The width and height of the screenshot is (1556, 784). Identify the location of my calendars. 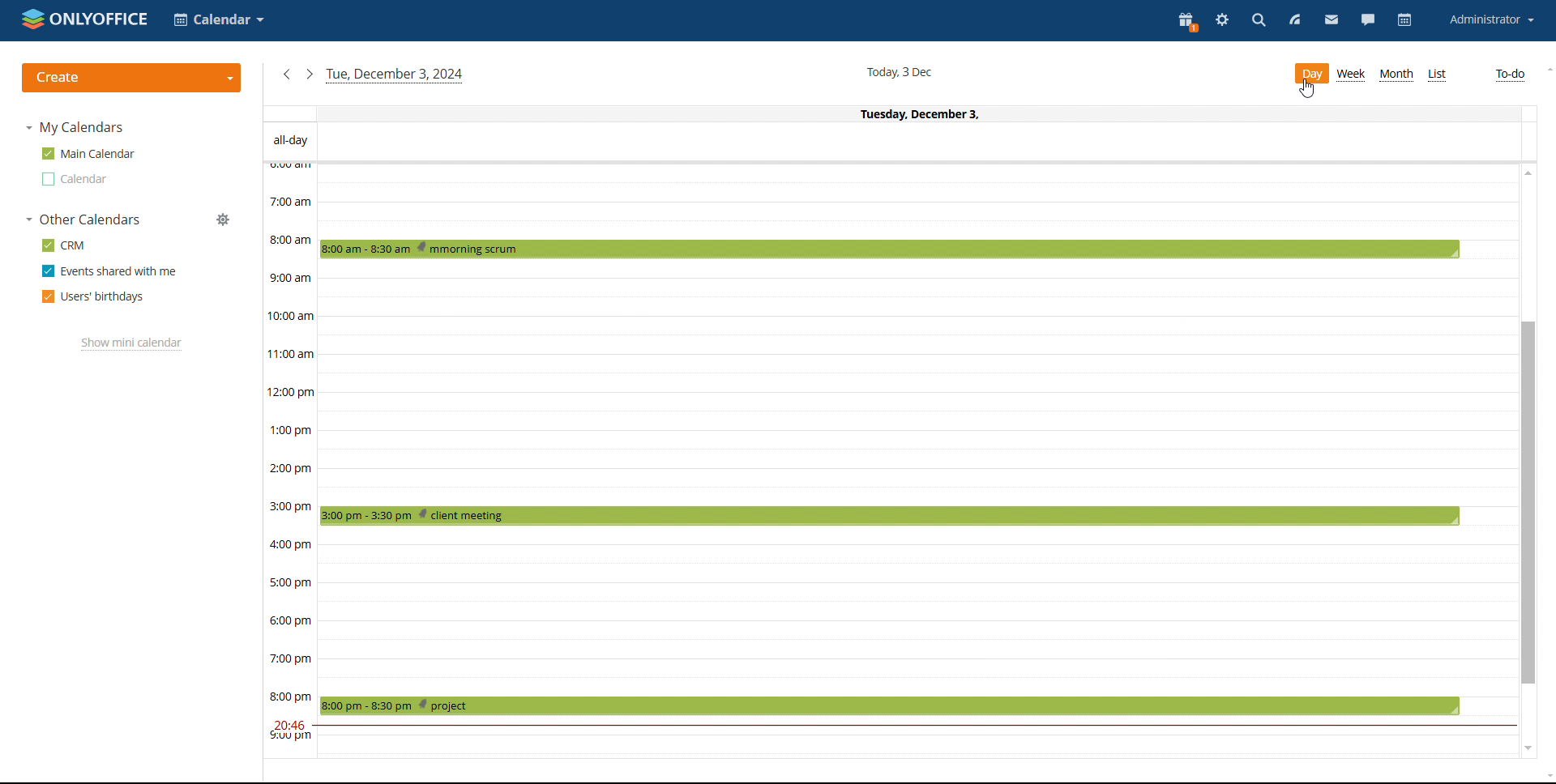
(75, 128).